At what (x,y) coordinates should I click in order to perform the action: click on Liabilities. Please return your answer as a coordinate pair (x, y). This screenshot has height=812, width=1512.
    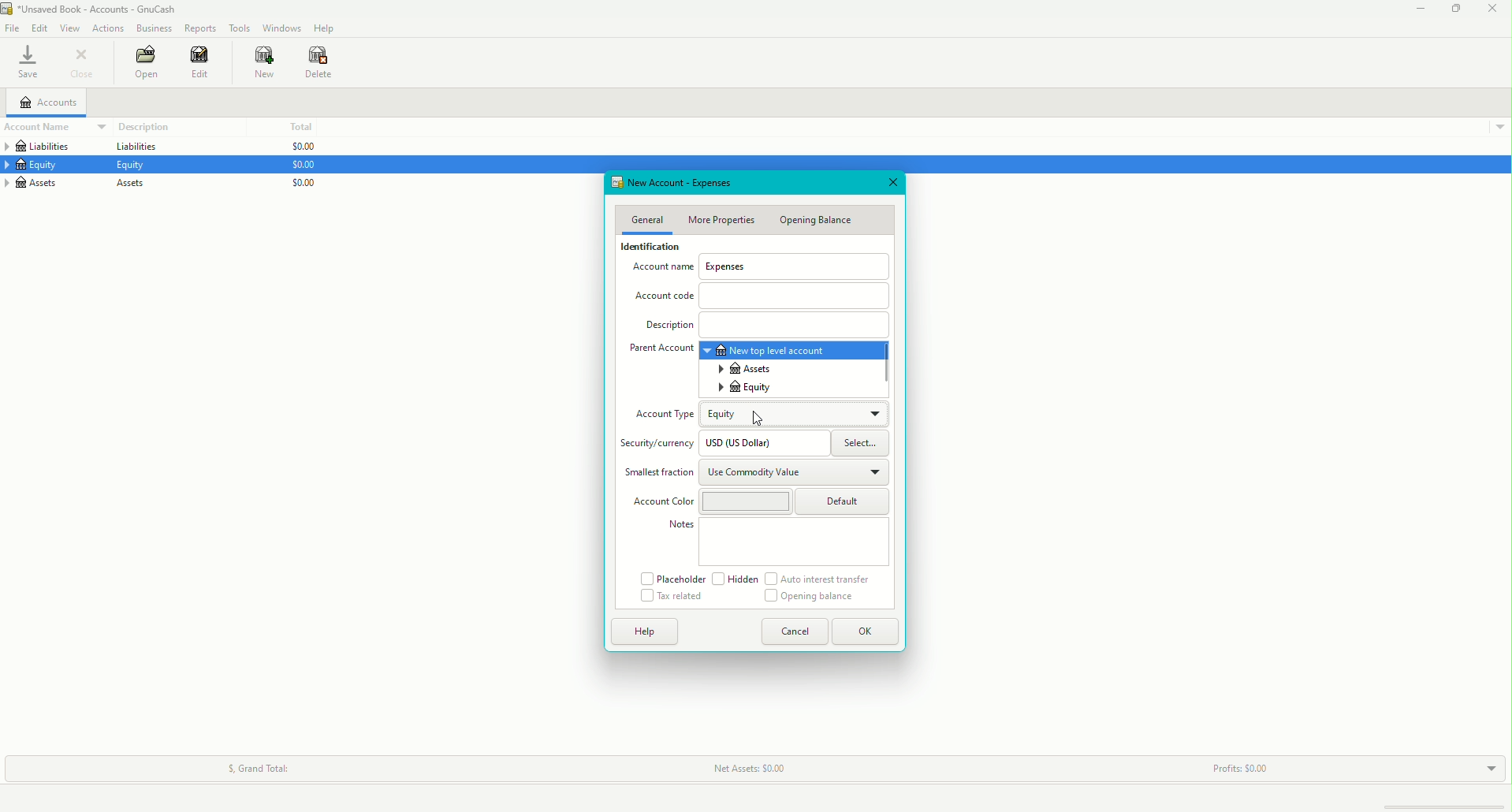
    Looking at the image, I should click on (46, 147).